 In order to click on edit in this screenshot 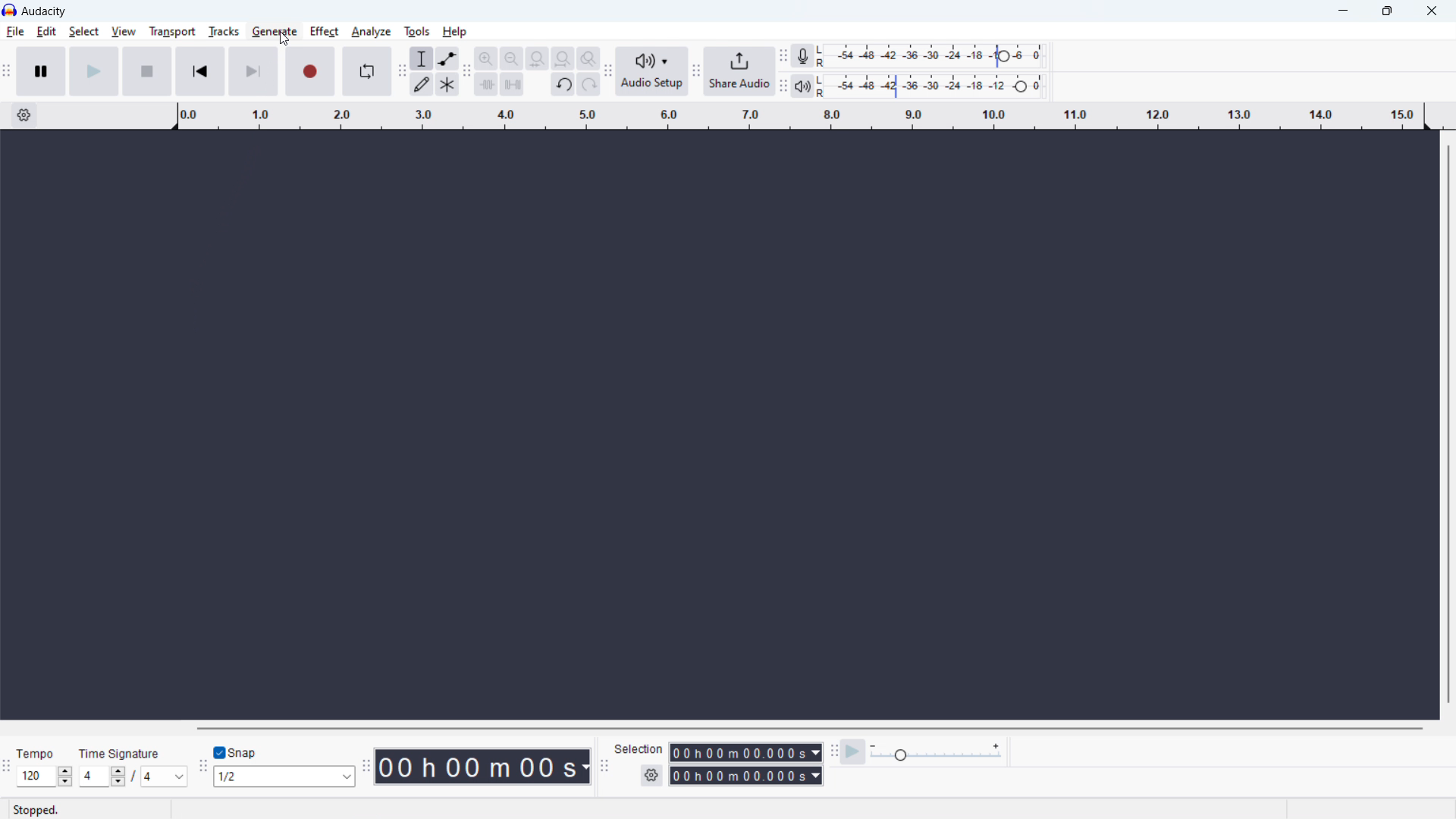, I will do `click(47, 31)`.